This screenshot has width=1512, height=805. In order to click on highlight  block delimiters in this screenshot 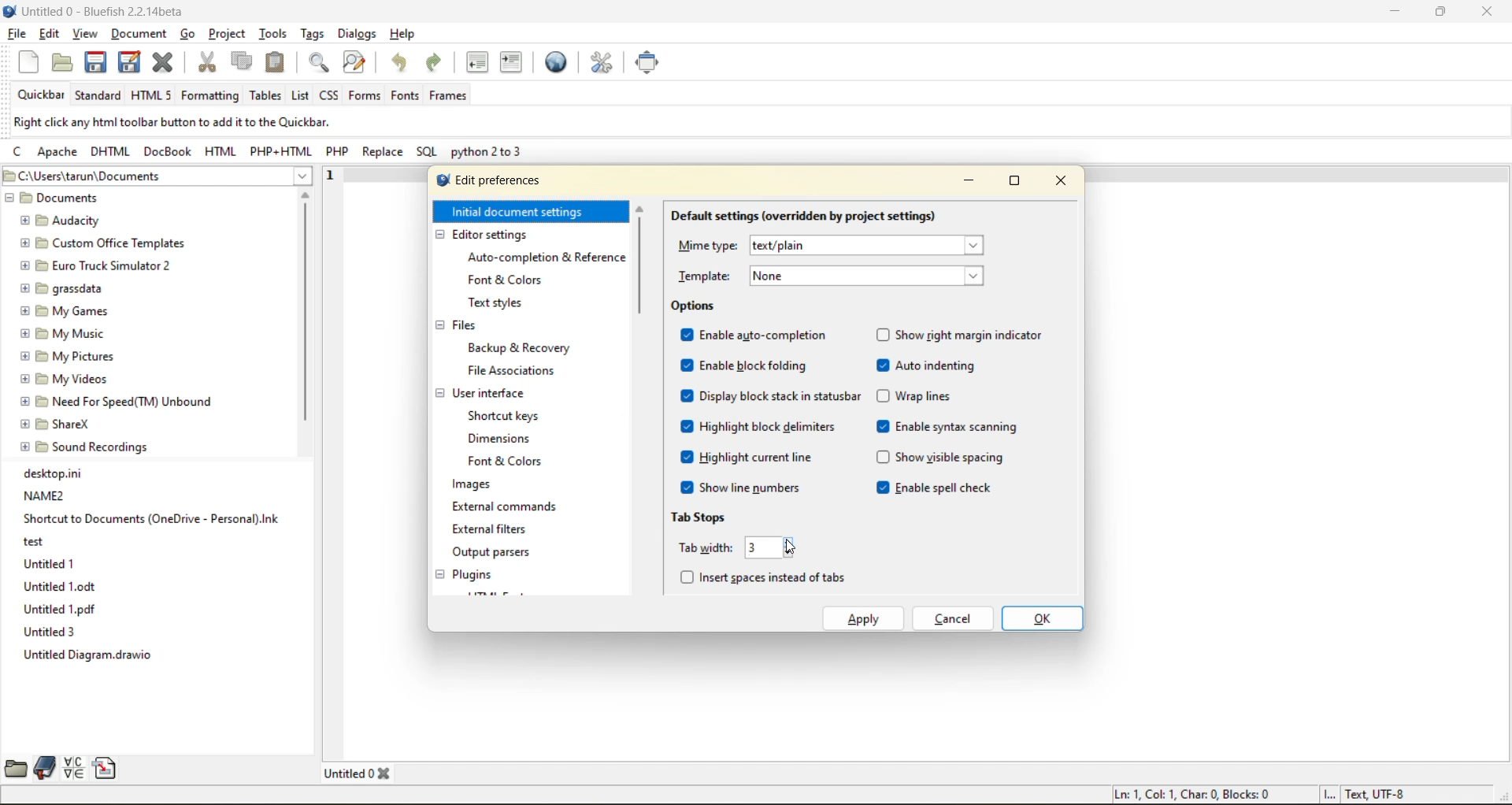, I will do `click(758, 427)`.